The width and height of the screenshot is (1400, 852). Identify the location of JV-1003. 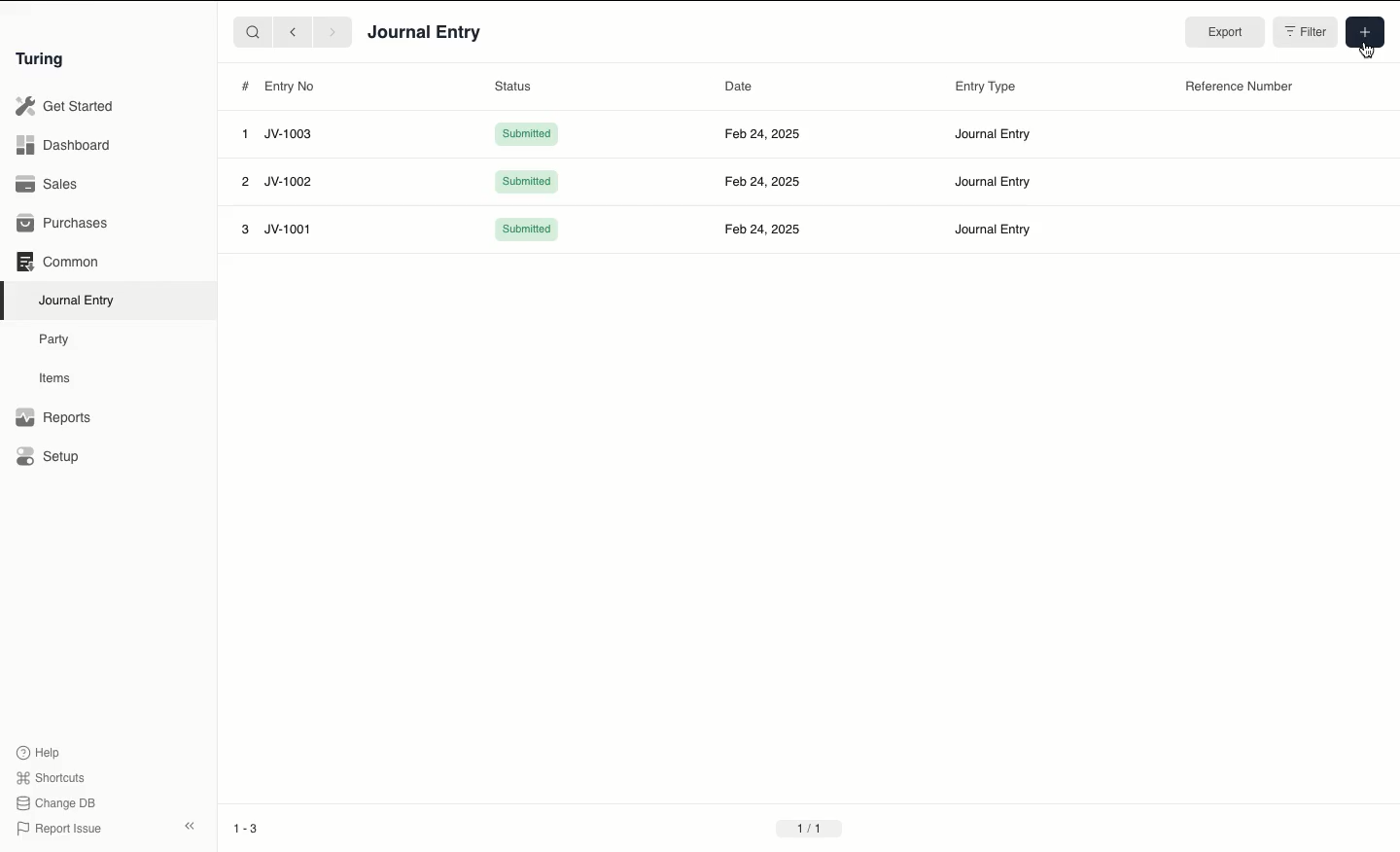
(289, 134).